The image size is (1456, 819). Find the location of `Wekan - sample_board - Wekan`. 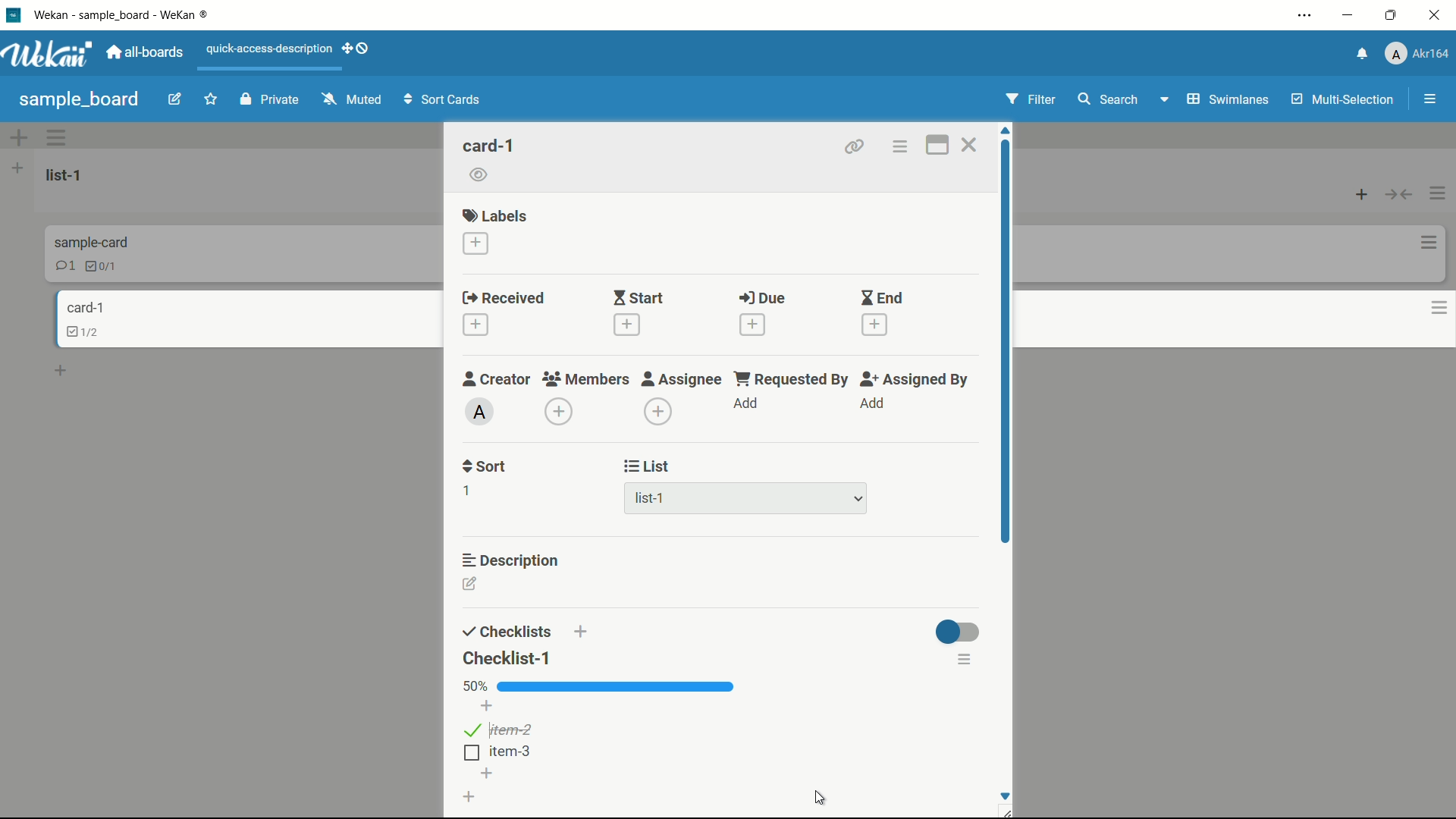

Wekan - sample_board - Wekan is located at coordinates (124, 15).